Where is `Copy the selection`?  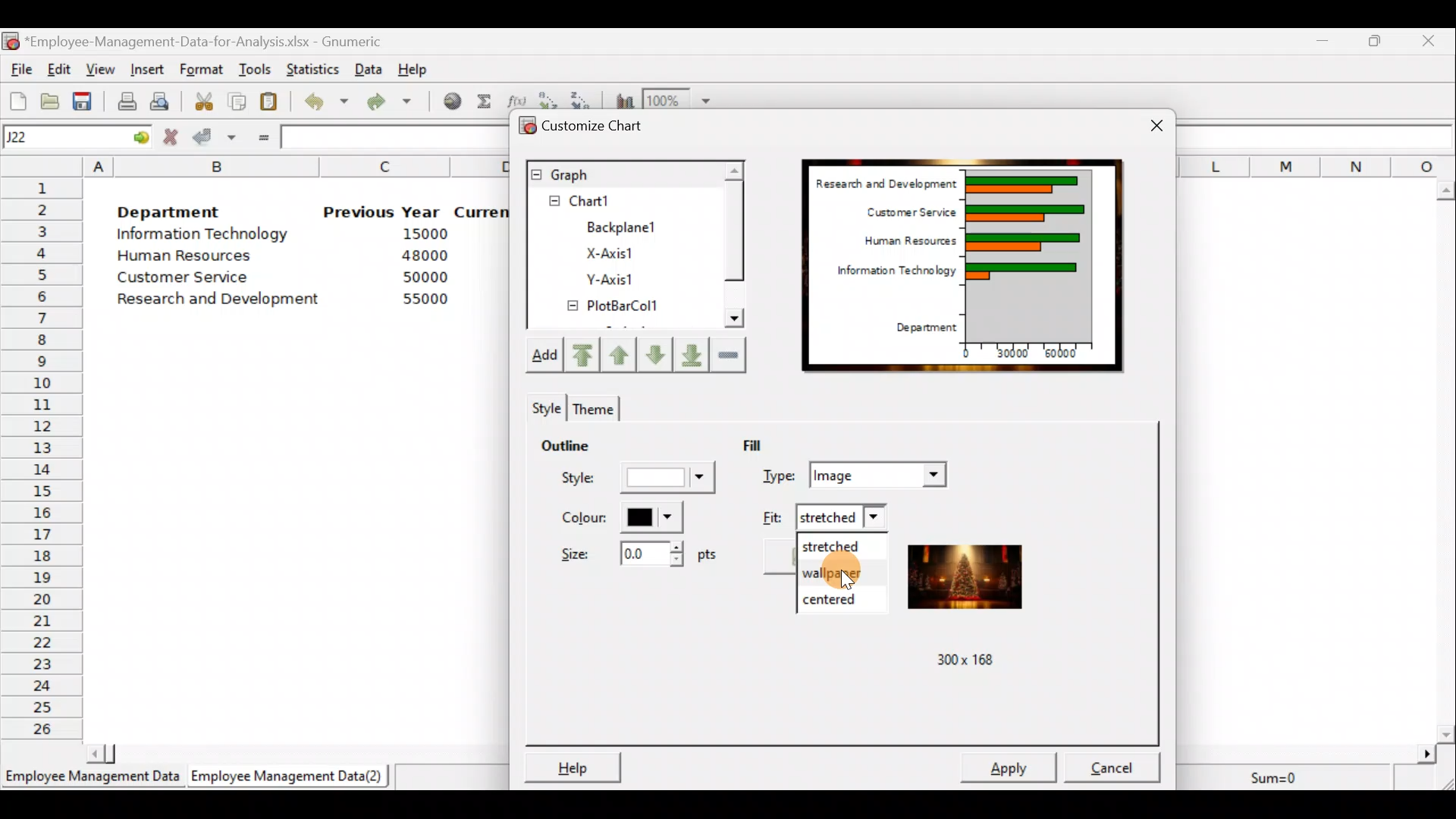
Copy the selection is located at coordinates (241, 102).